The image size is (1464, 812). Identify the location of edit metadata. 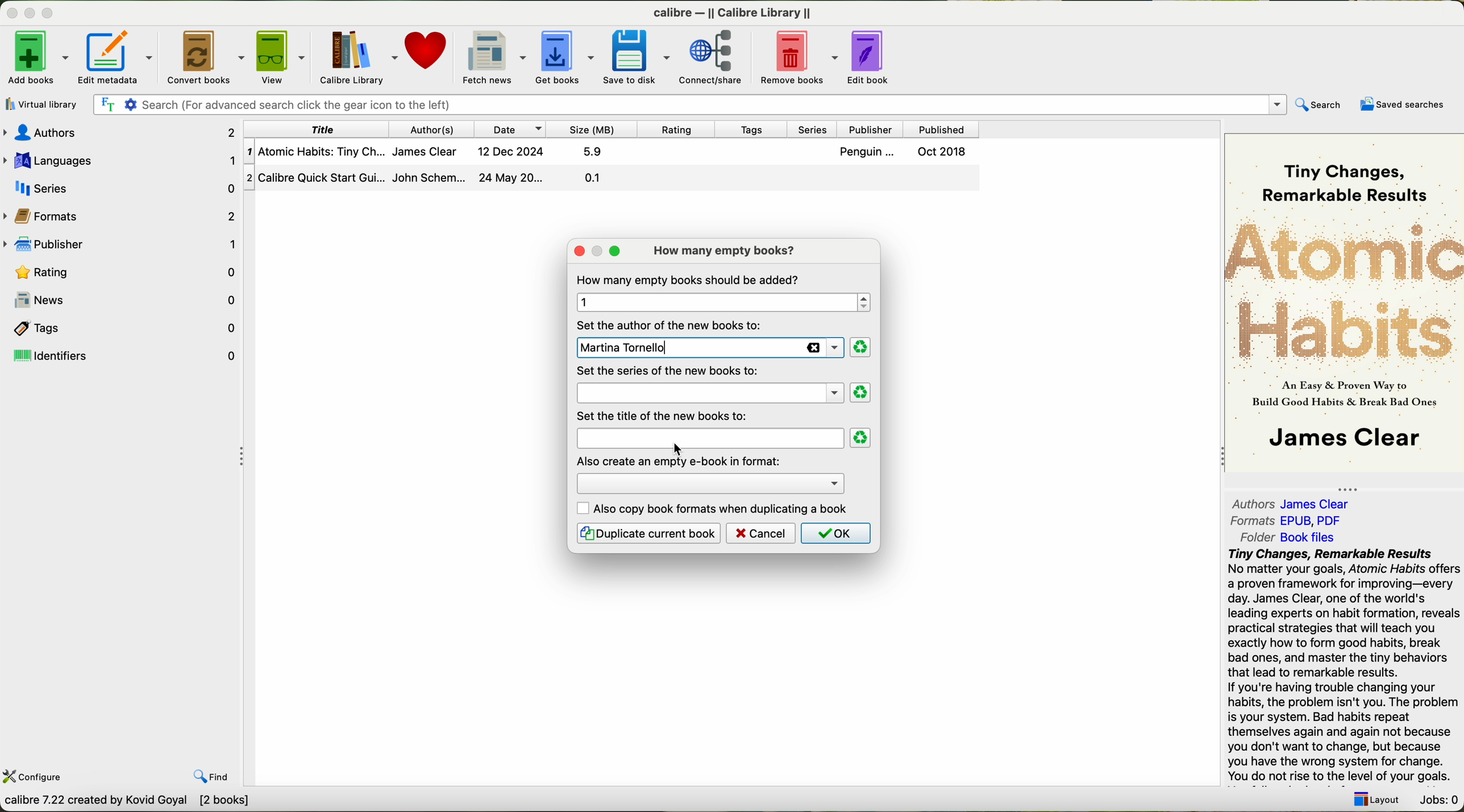
(117, 57).